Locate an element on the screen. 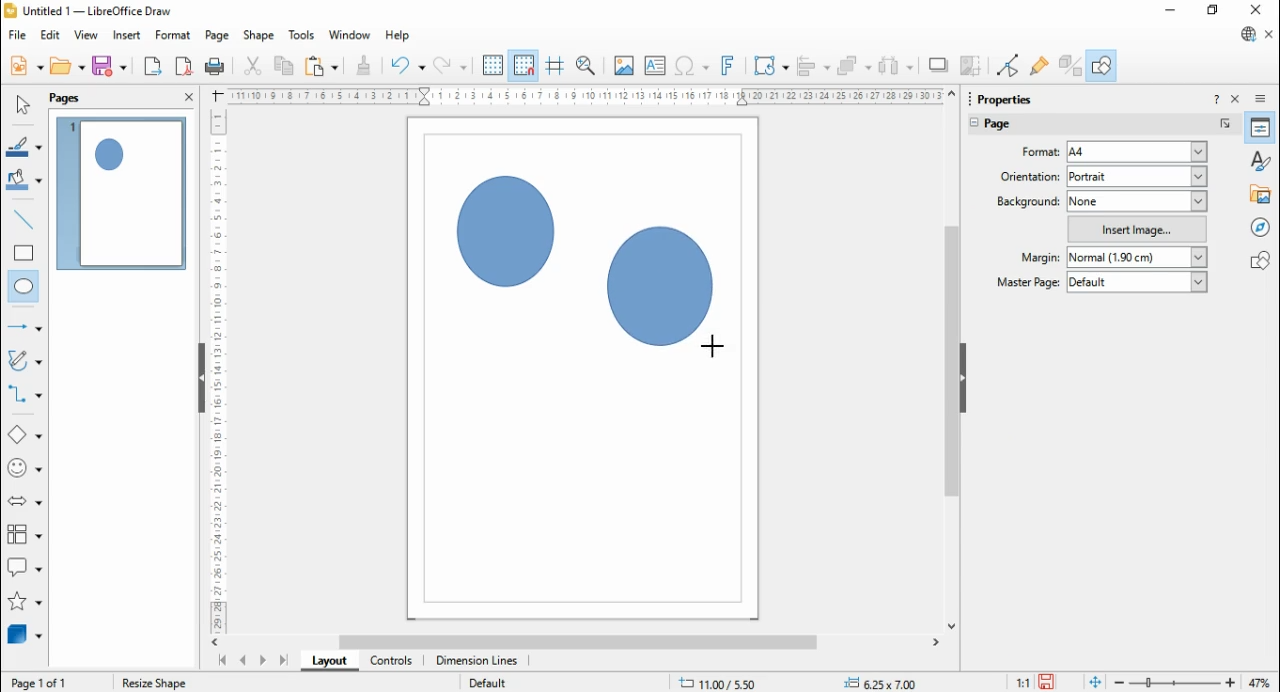 This screenshot has height=692, width=1280. help about this sidebar deck is located at coordinates (1216, 98).